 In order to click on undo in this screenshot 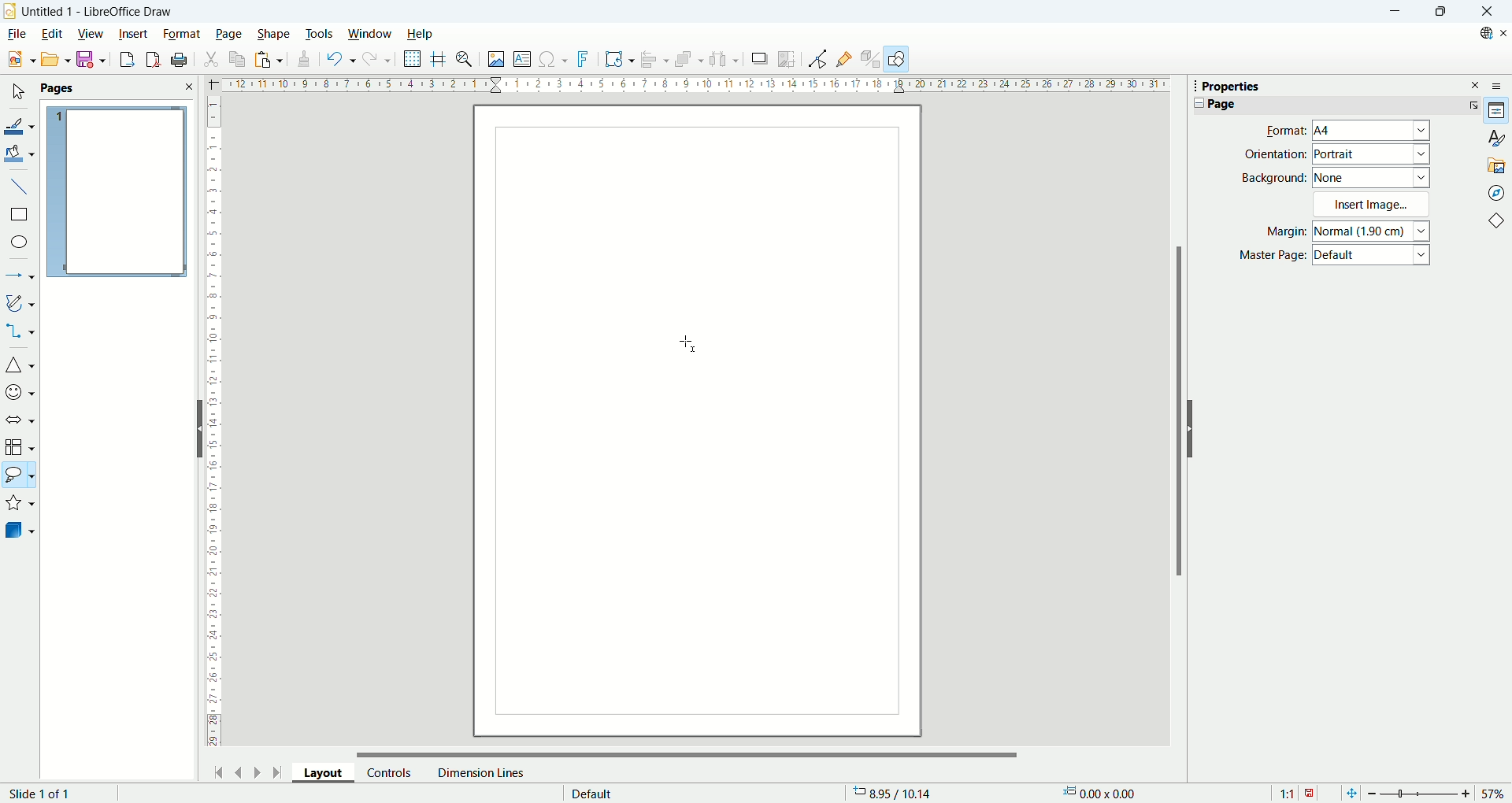, I will do `click(338, 59)`.